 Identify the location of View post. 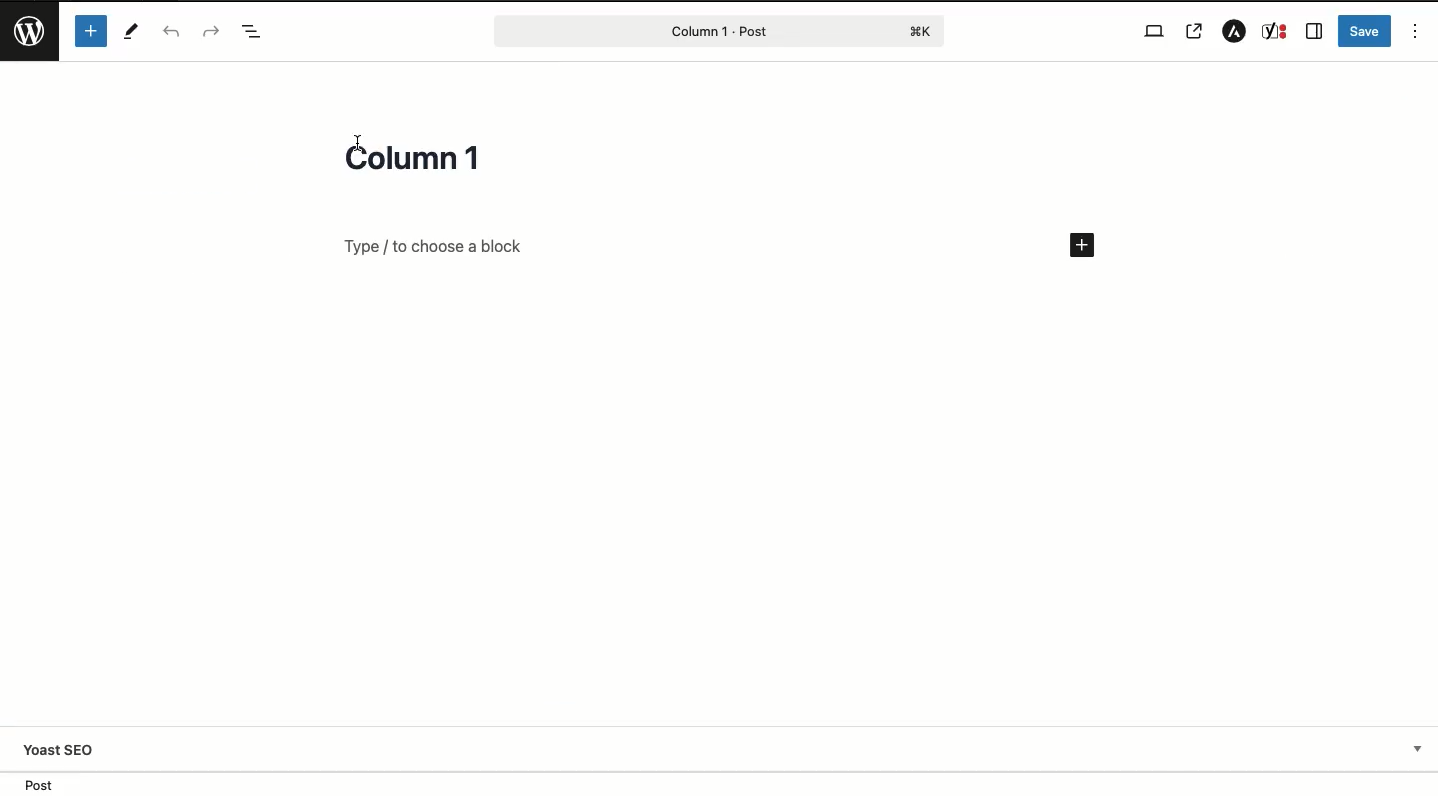
(1197, 31).